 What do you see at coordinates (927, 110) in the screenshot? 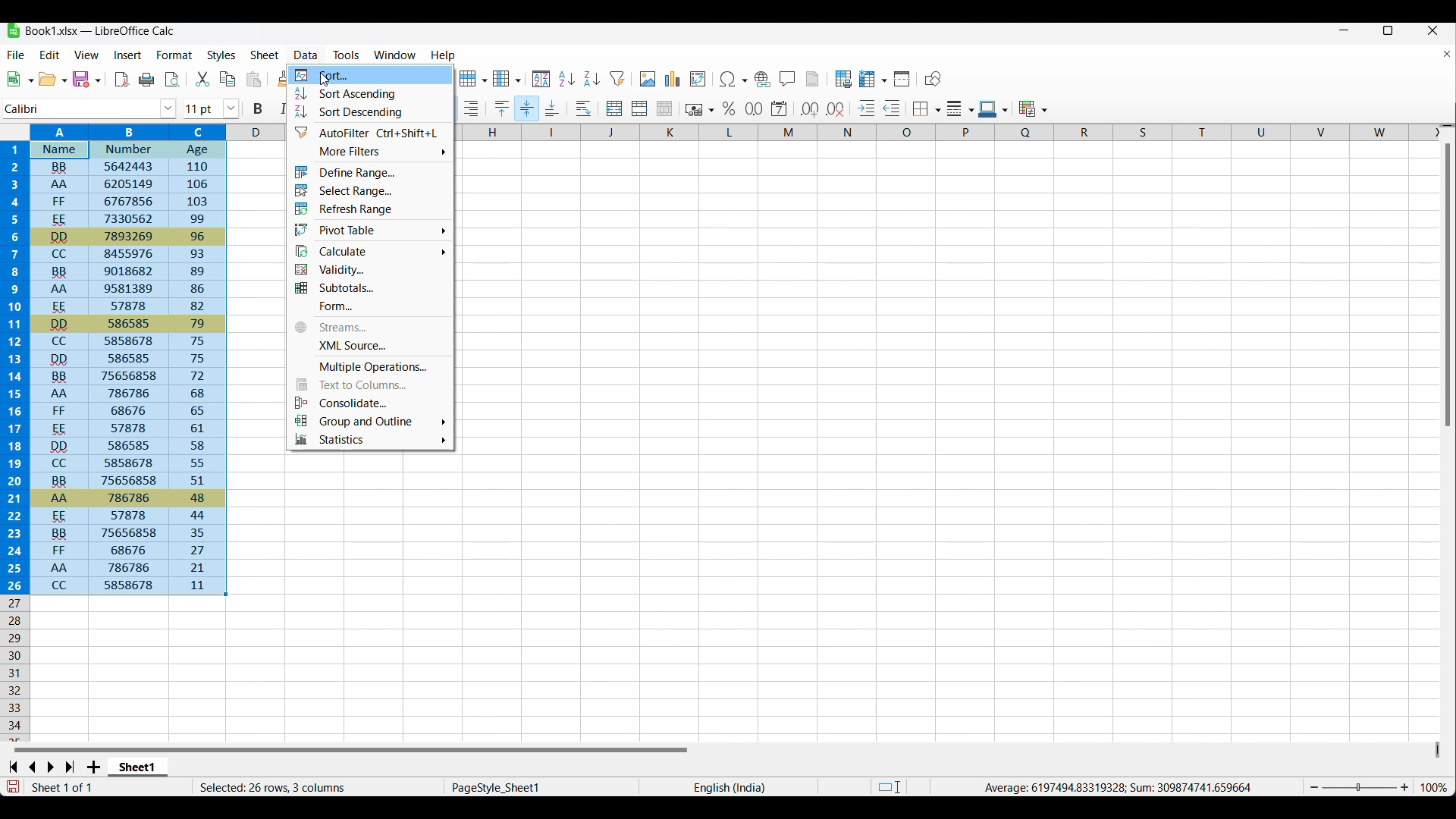
I see `Borders shift to overwrite options` at bounding box center [927, 110].